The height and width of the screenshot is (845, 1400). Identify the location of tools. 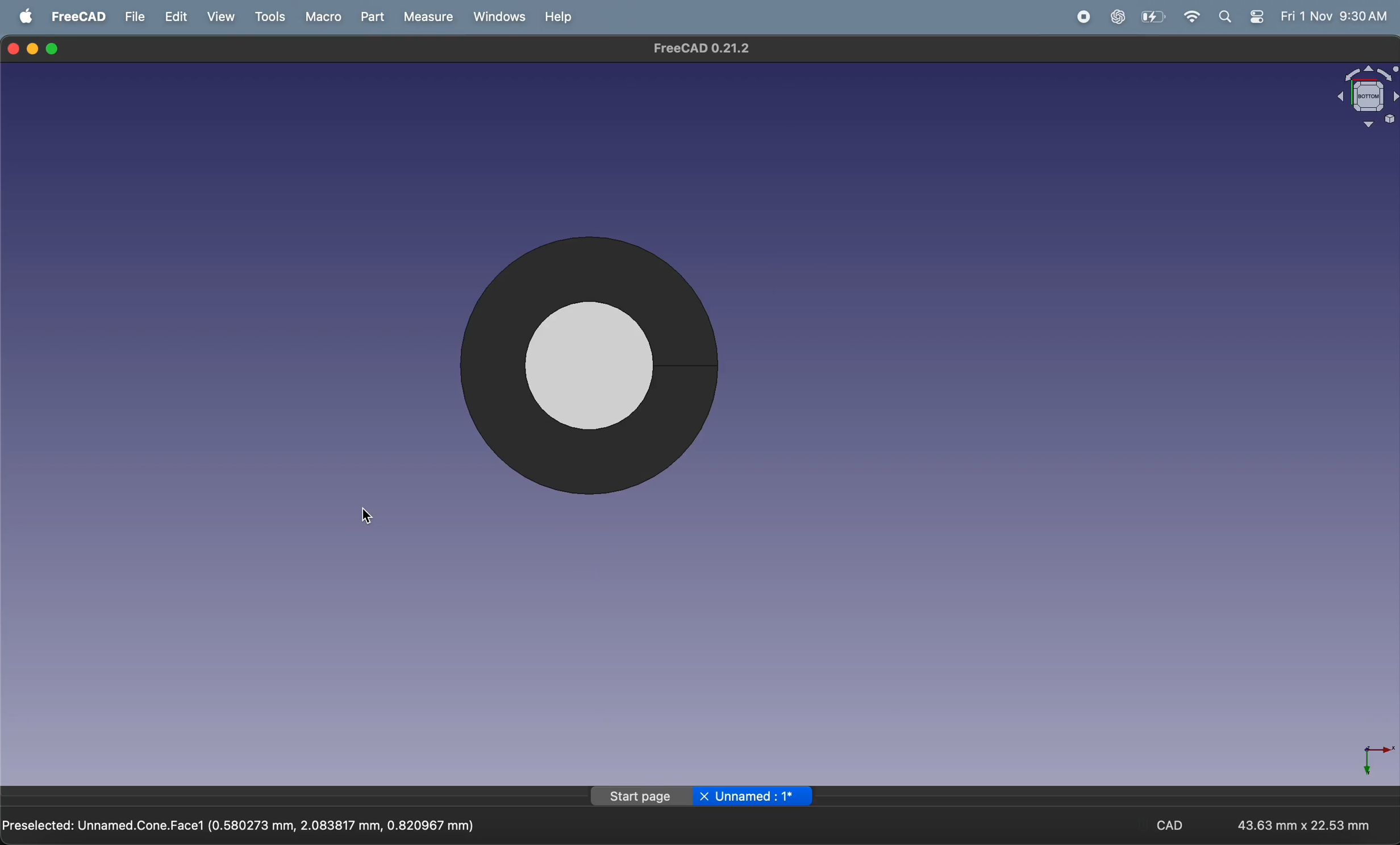
(270, 16).